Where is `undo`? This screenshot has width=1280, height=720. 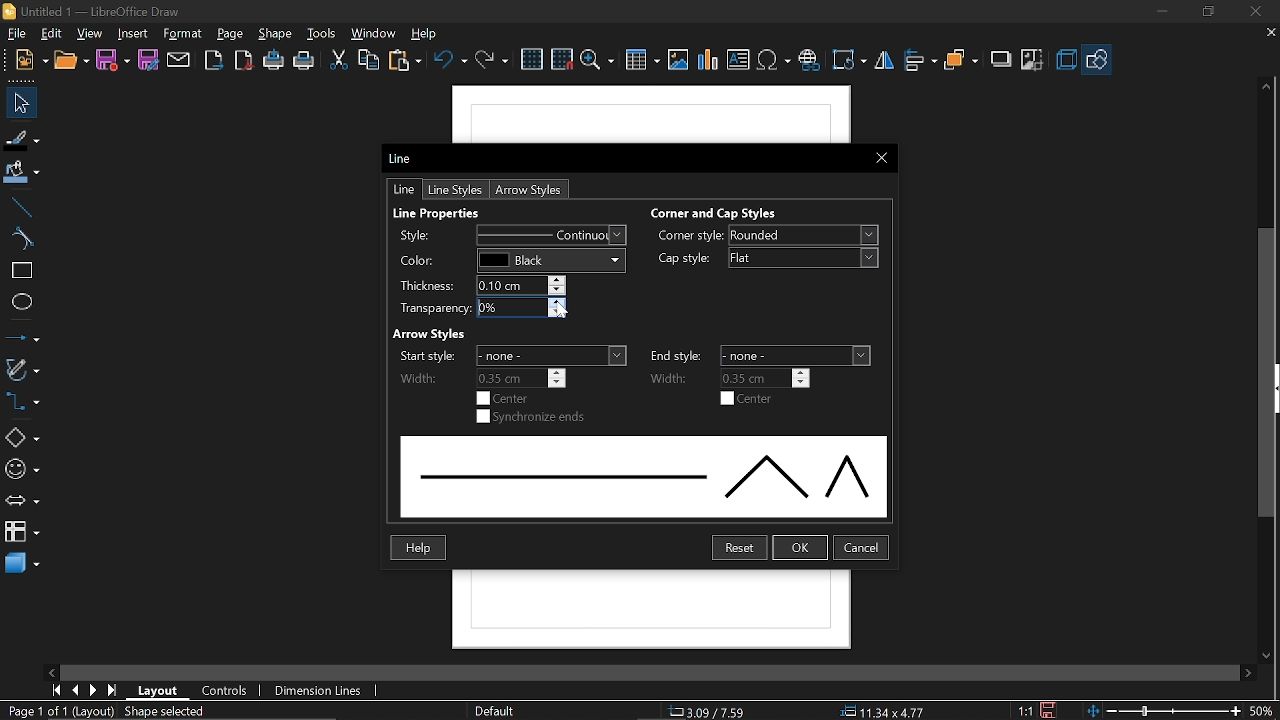 undo is located at coordinates (451, 63).